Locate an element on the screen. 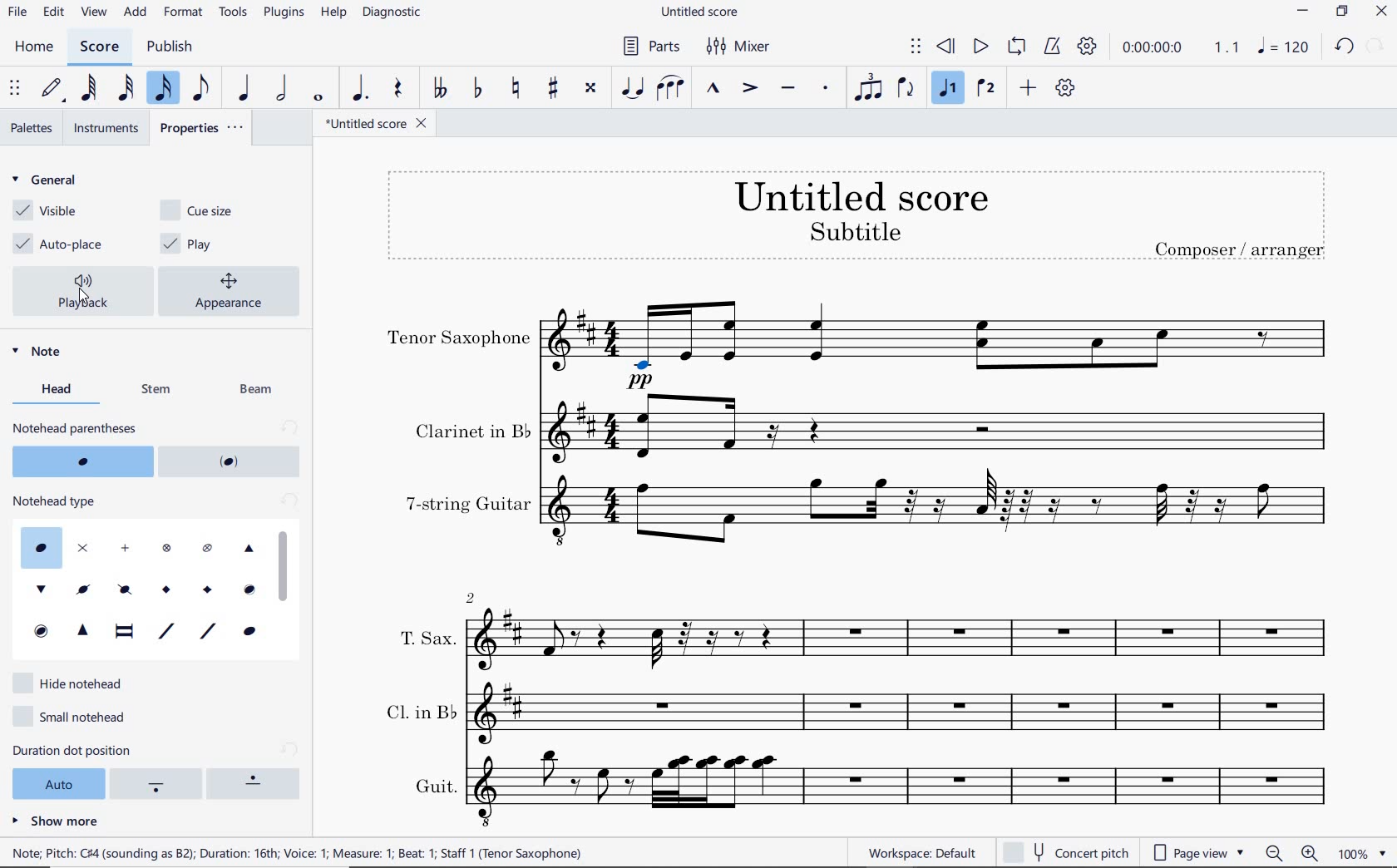 The width and height of the screenshot is (1397, 868). text is located at coordinates (57, 501).